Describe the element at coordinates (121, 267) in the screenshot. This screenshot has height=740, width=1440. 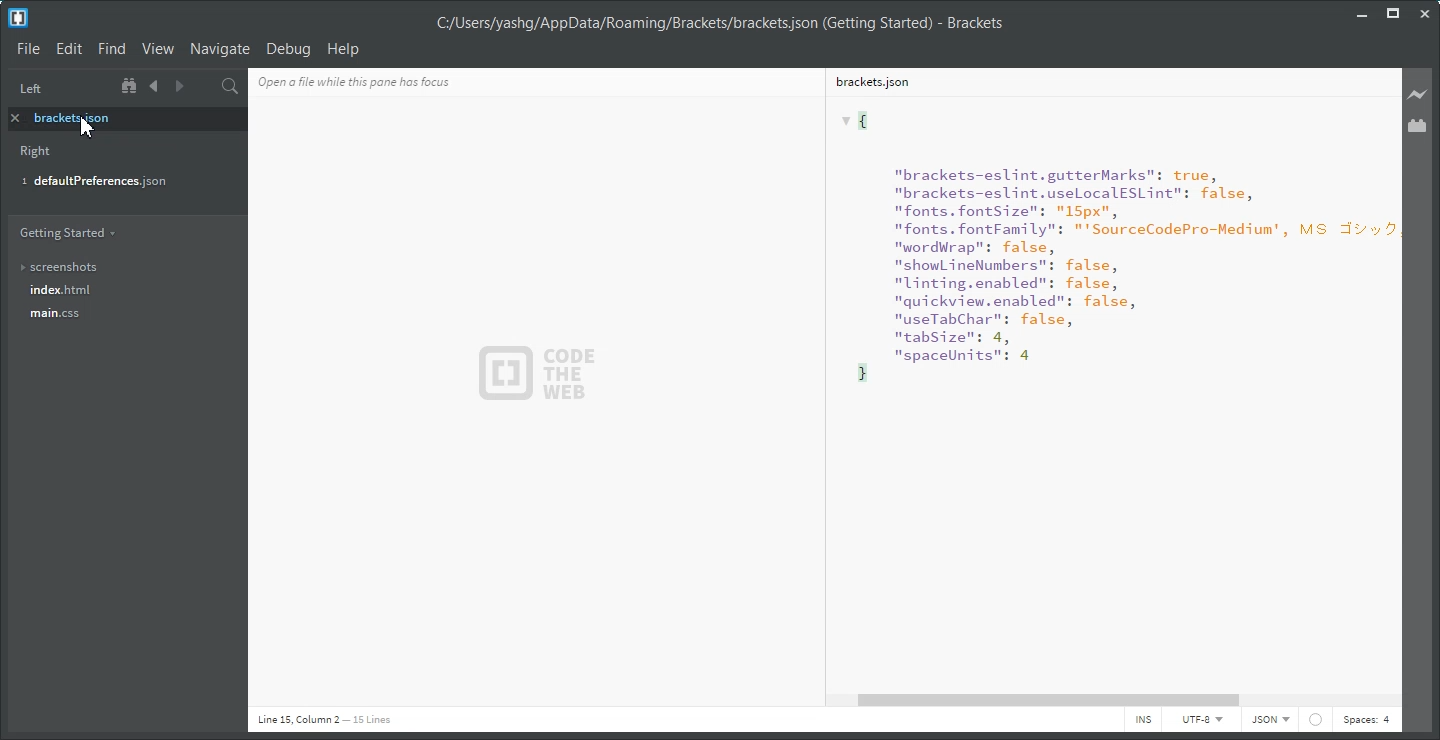
I see `Screenshots` at that location.